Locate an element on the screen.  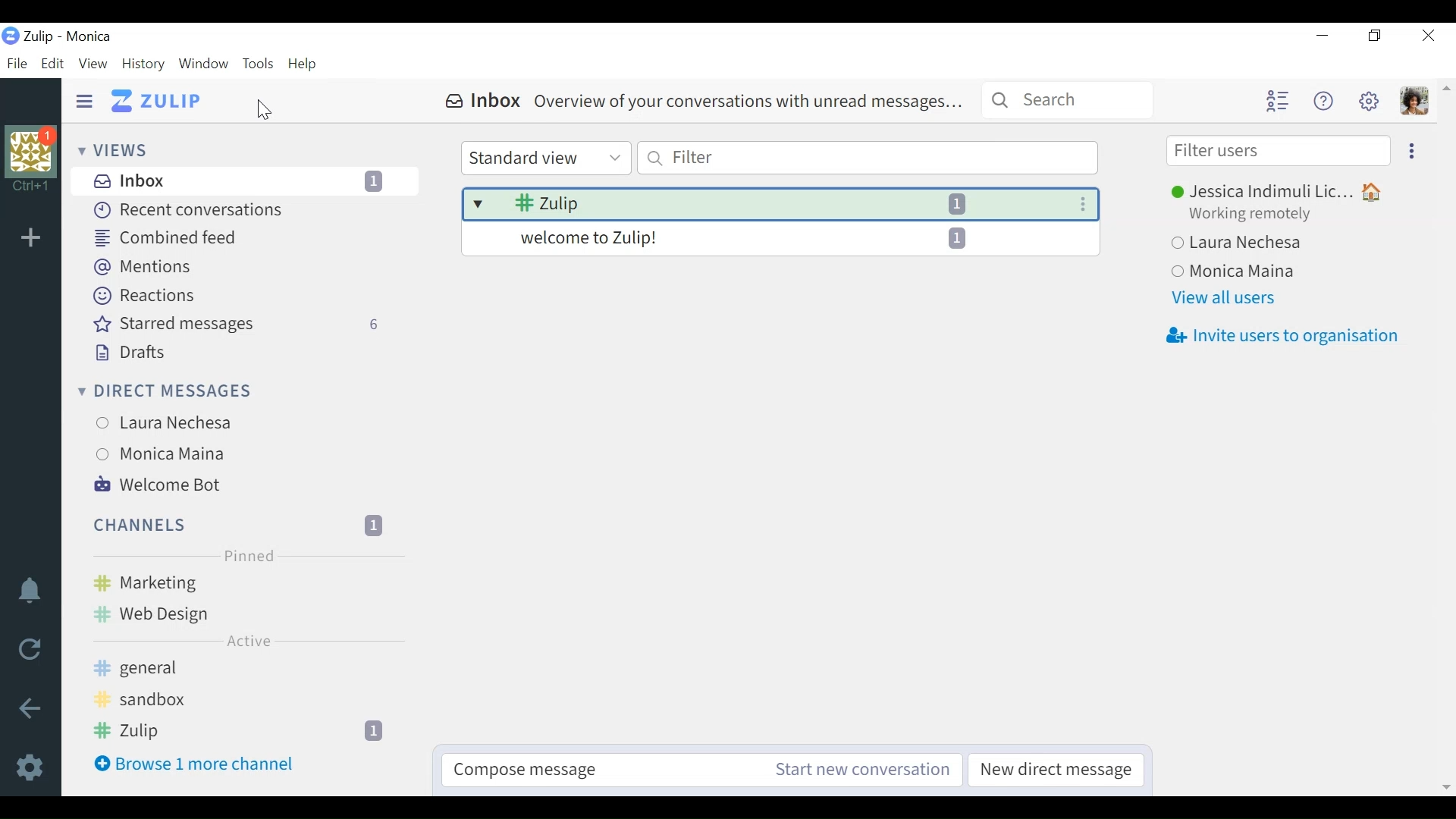
Welcome Bot is located at coordinates (156, 485).